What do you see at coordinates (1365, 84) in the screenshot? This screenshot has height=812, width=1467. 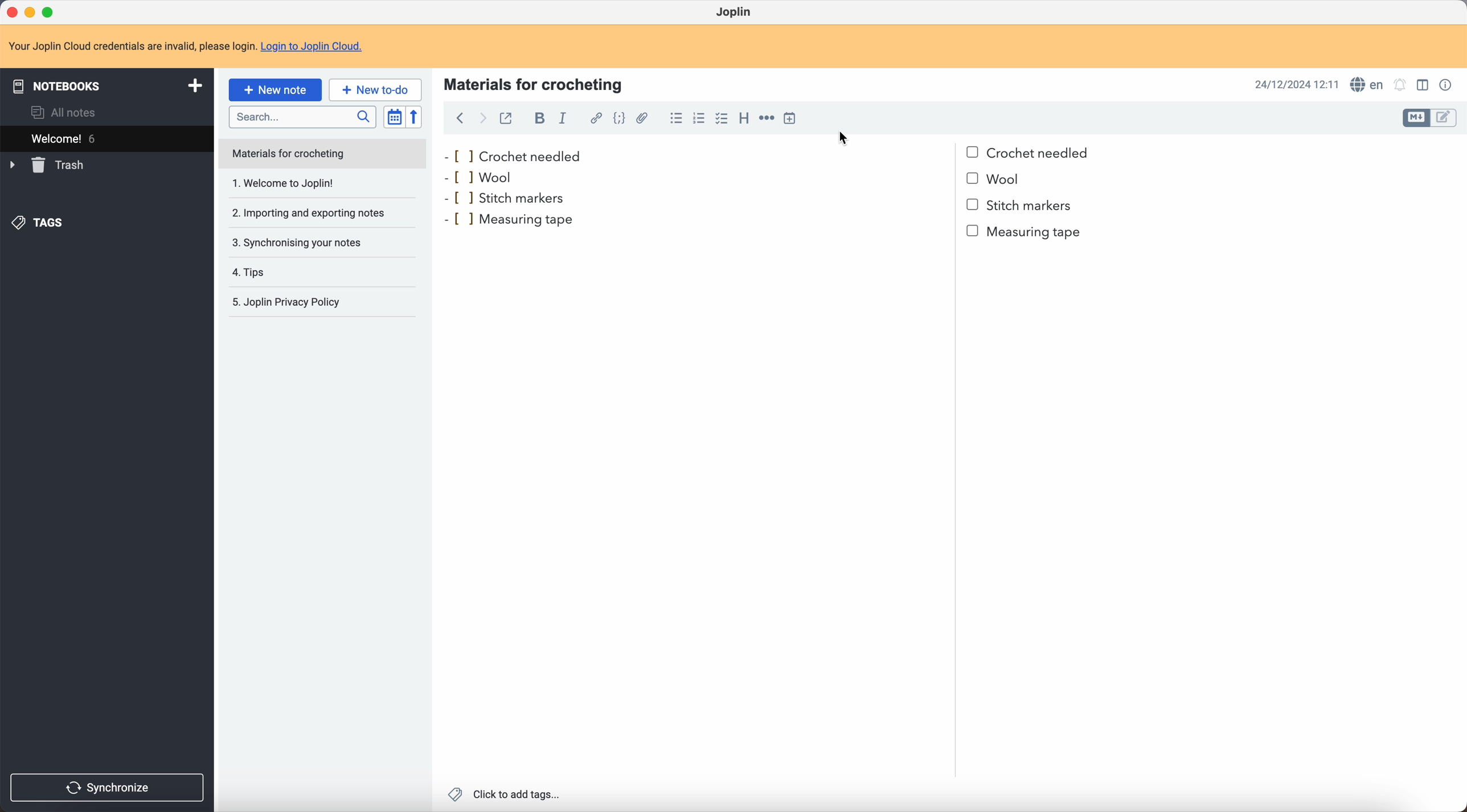 I see `spell checker` at bounding box center [1365, 84].